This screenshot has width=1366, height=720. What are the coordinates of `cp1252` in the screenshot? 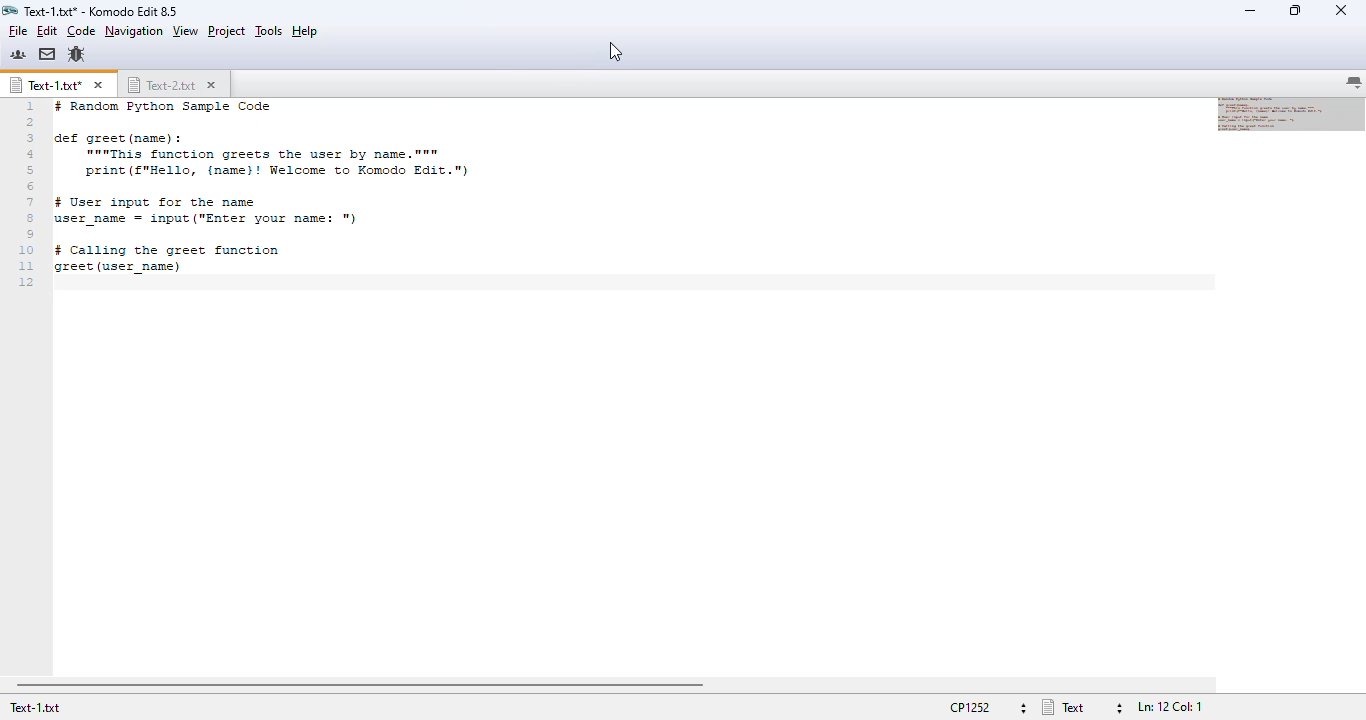 It's located at (987, 706).